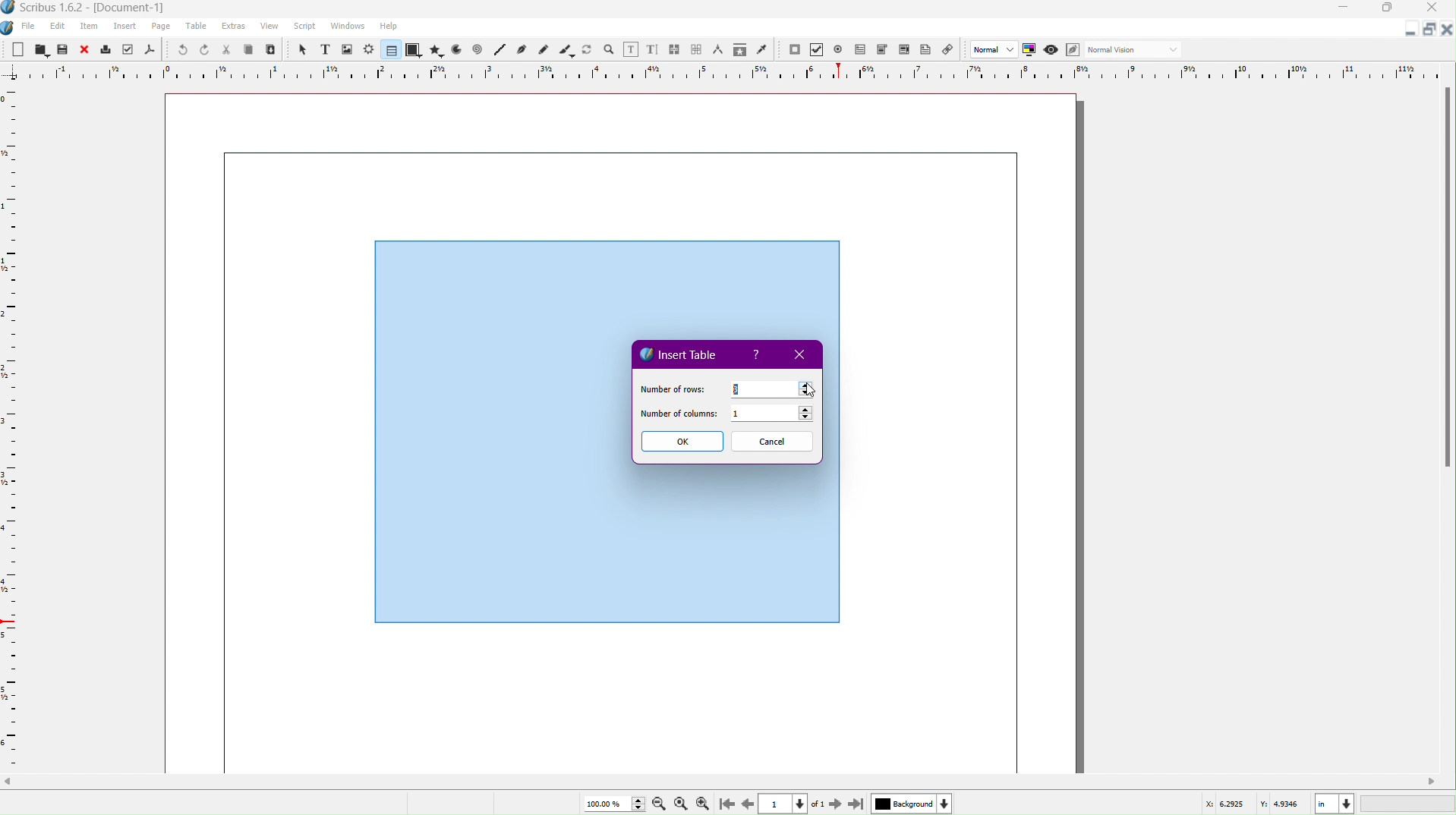 Image resolution: width=1456 pixels, height=815 pixels. Describe the element at coordinates (272, 50) in the screenshot. I see `Paste` at that location.